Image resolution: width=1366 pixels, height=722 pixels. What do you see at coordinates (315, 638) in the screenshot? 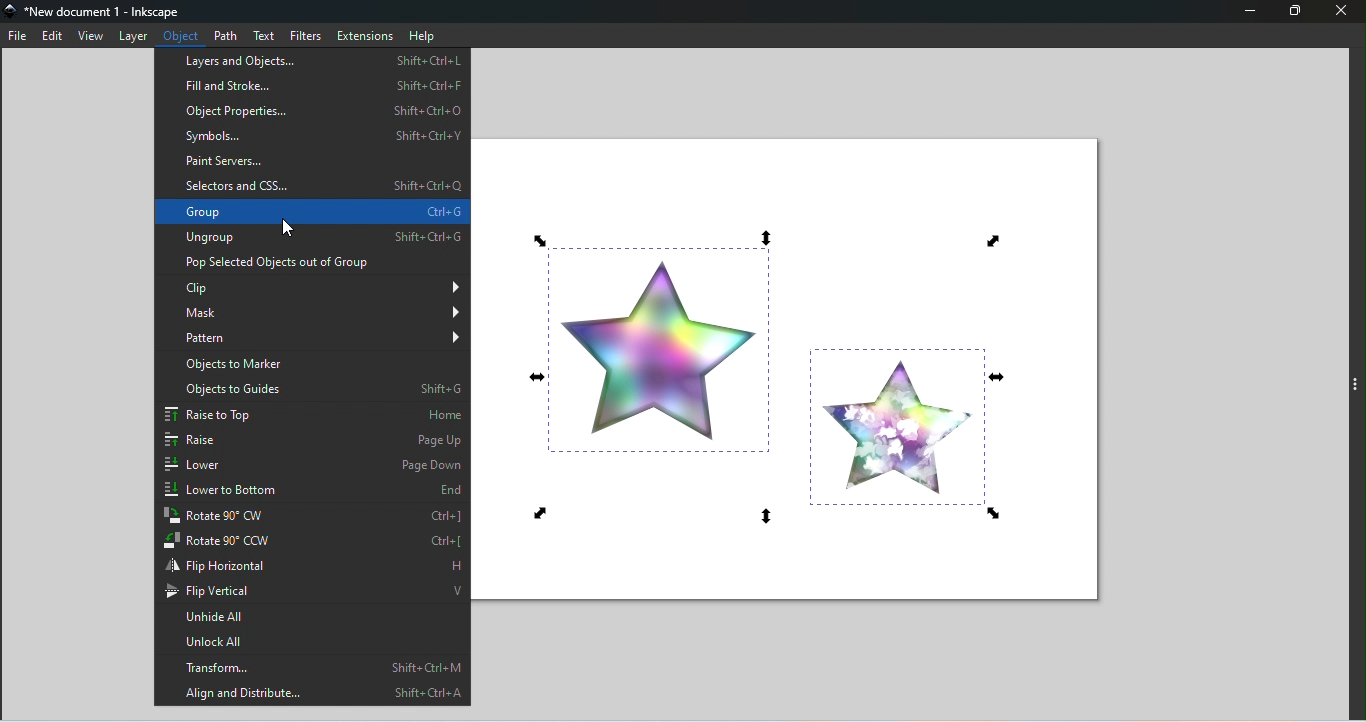
I see `Unlock all` at bounding box center [315, 638].